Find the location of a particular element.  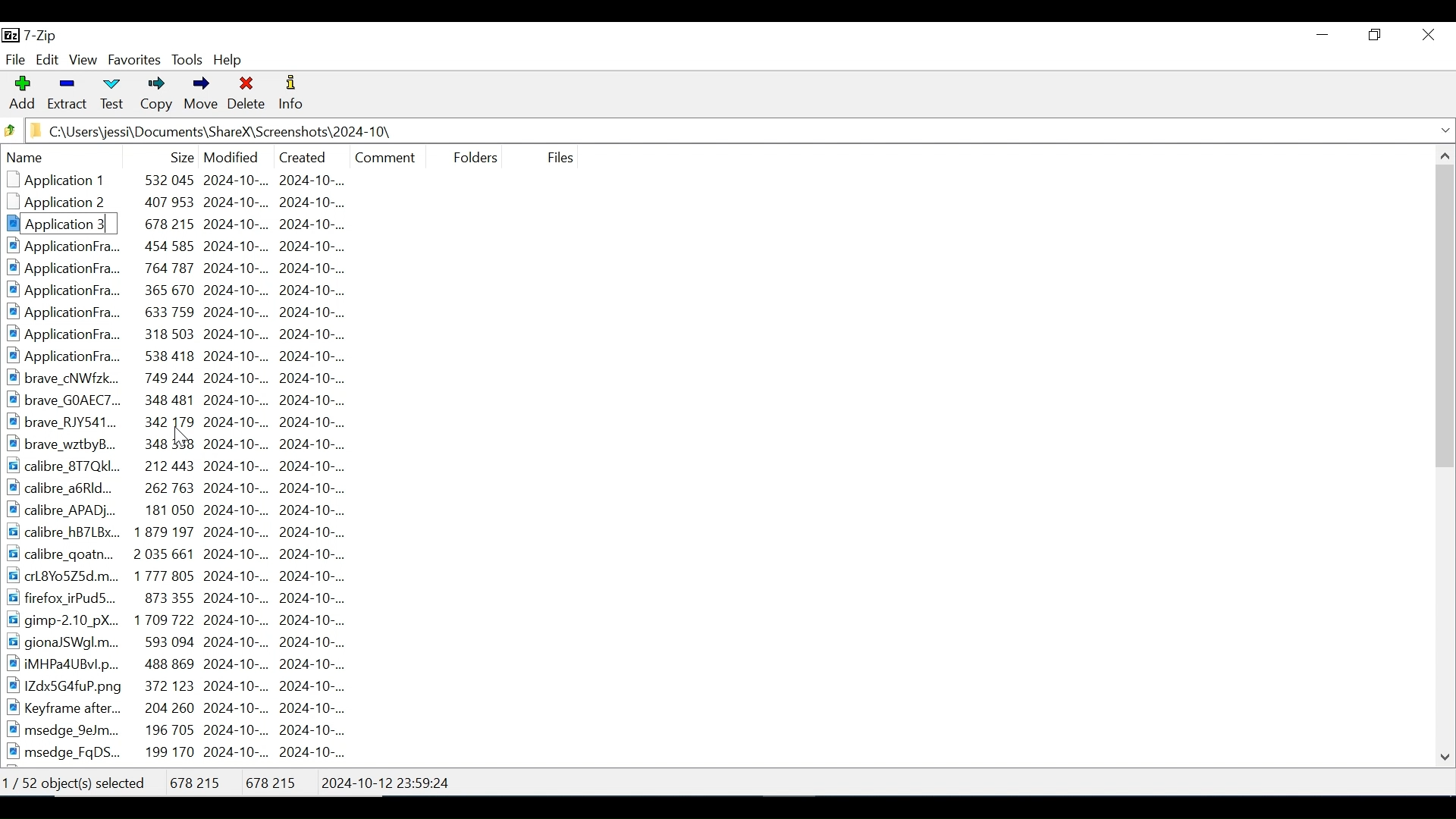

Keyframe after... 204 260 2024-10-.. 2024-10-... is located at coordinates (186, 708).